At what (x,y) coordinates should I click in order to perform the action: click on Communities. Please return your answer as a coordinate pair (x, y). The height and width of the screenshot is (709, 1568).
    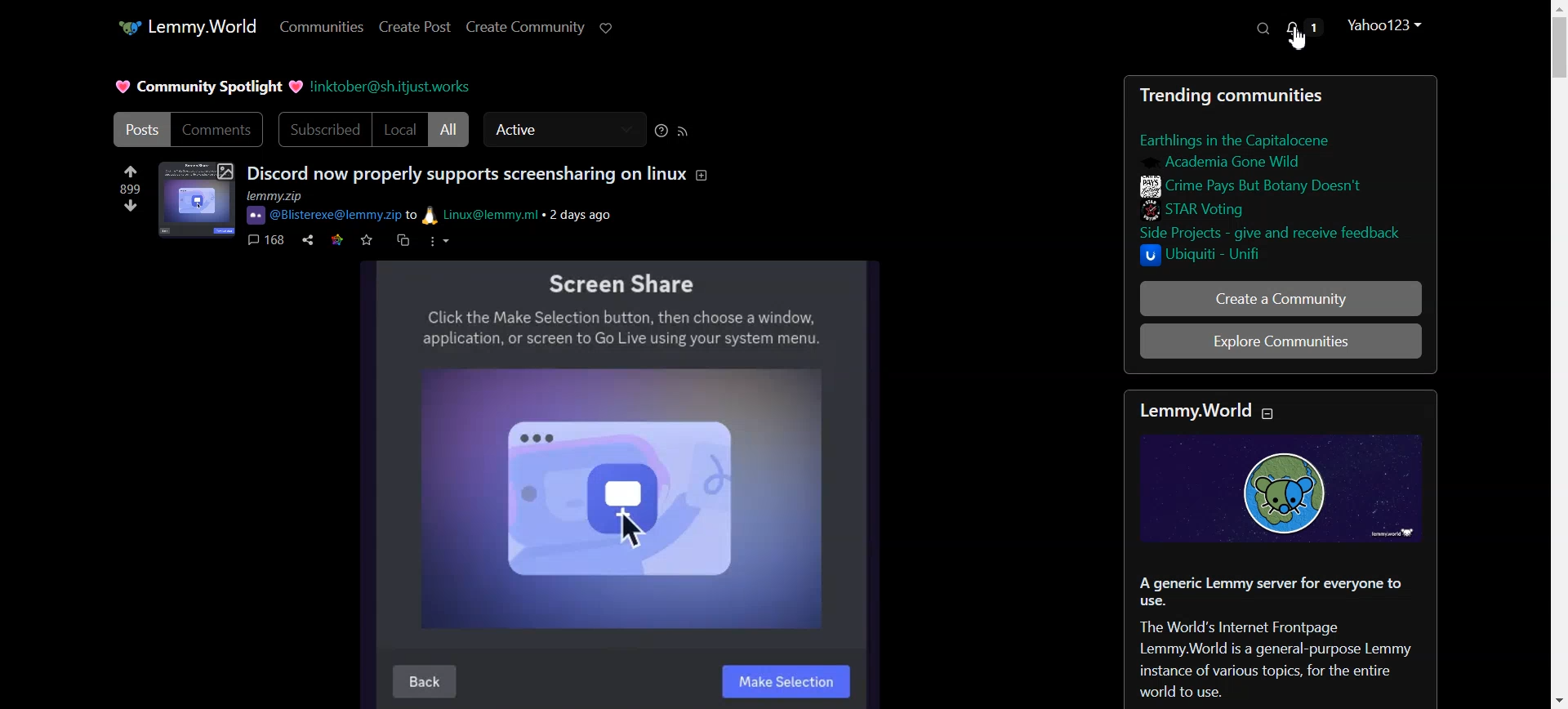
    Looking at the image, I should click on (321, 29).